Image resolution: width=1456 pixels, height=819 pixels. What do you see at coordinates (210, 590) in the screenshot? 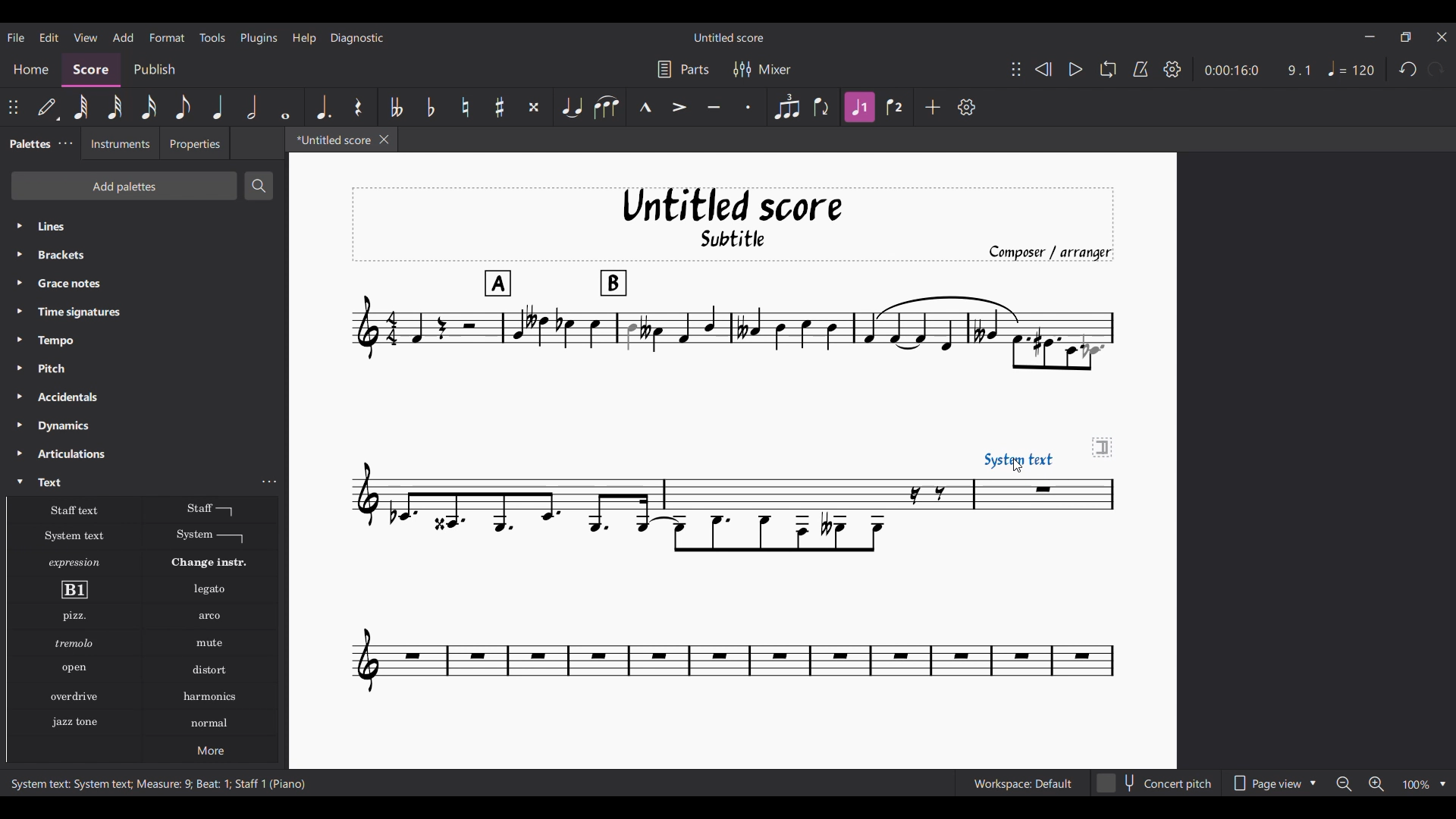
I see `Legato` at bounding box center [210, 590].